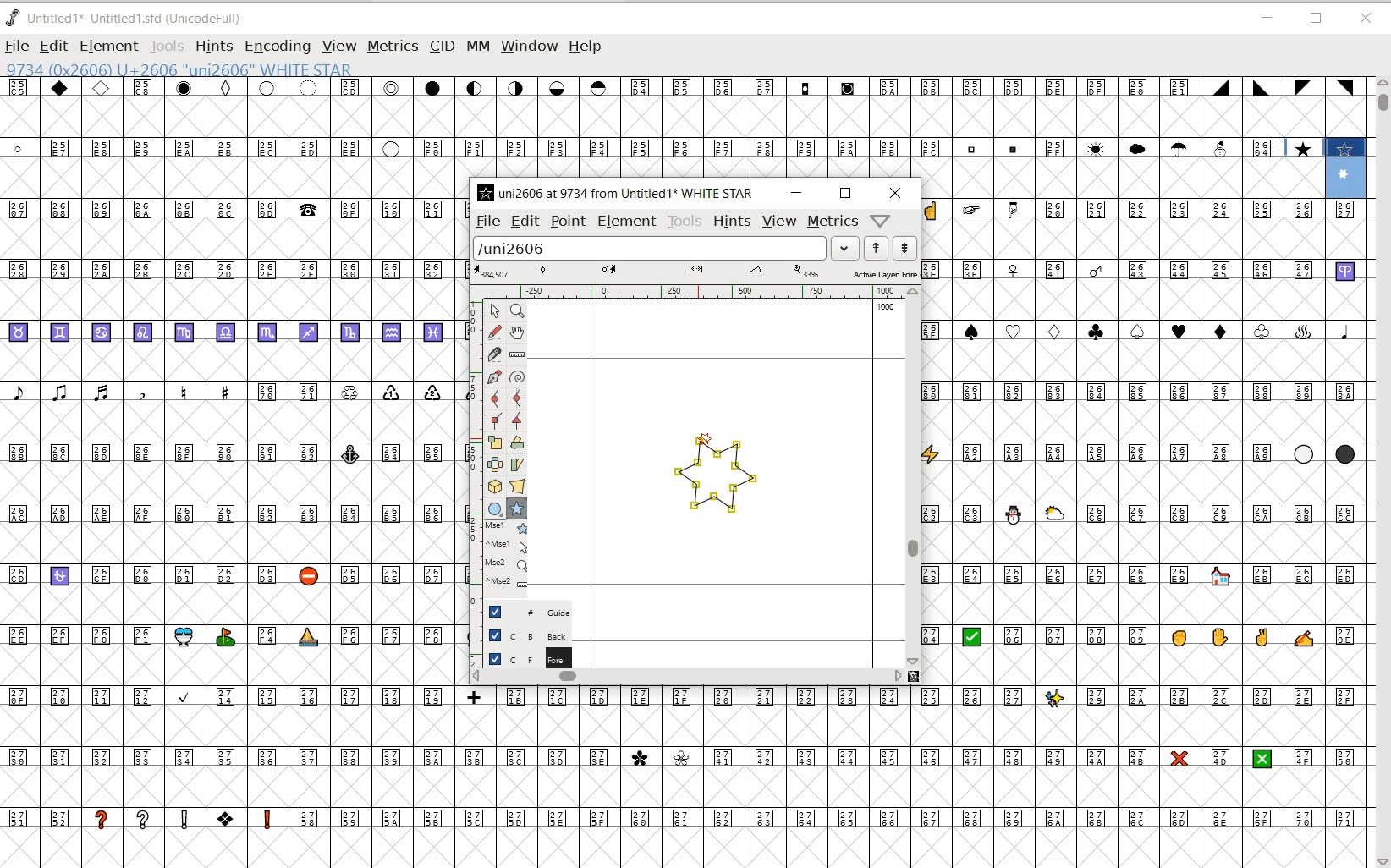 The image size is (1391, 868). What do you see at coordinates (1366, 19) in the screenshot?
I see `CLOSE` at bounding box center [1366, 19].